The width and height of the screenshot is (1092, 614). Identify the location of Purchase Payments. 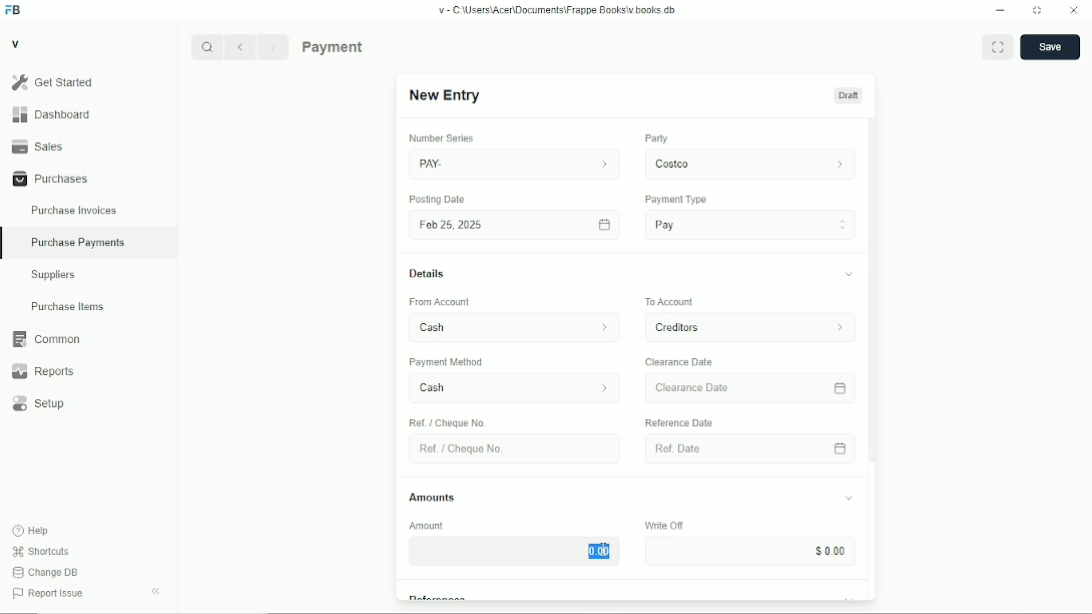
(372, 46).